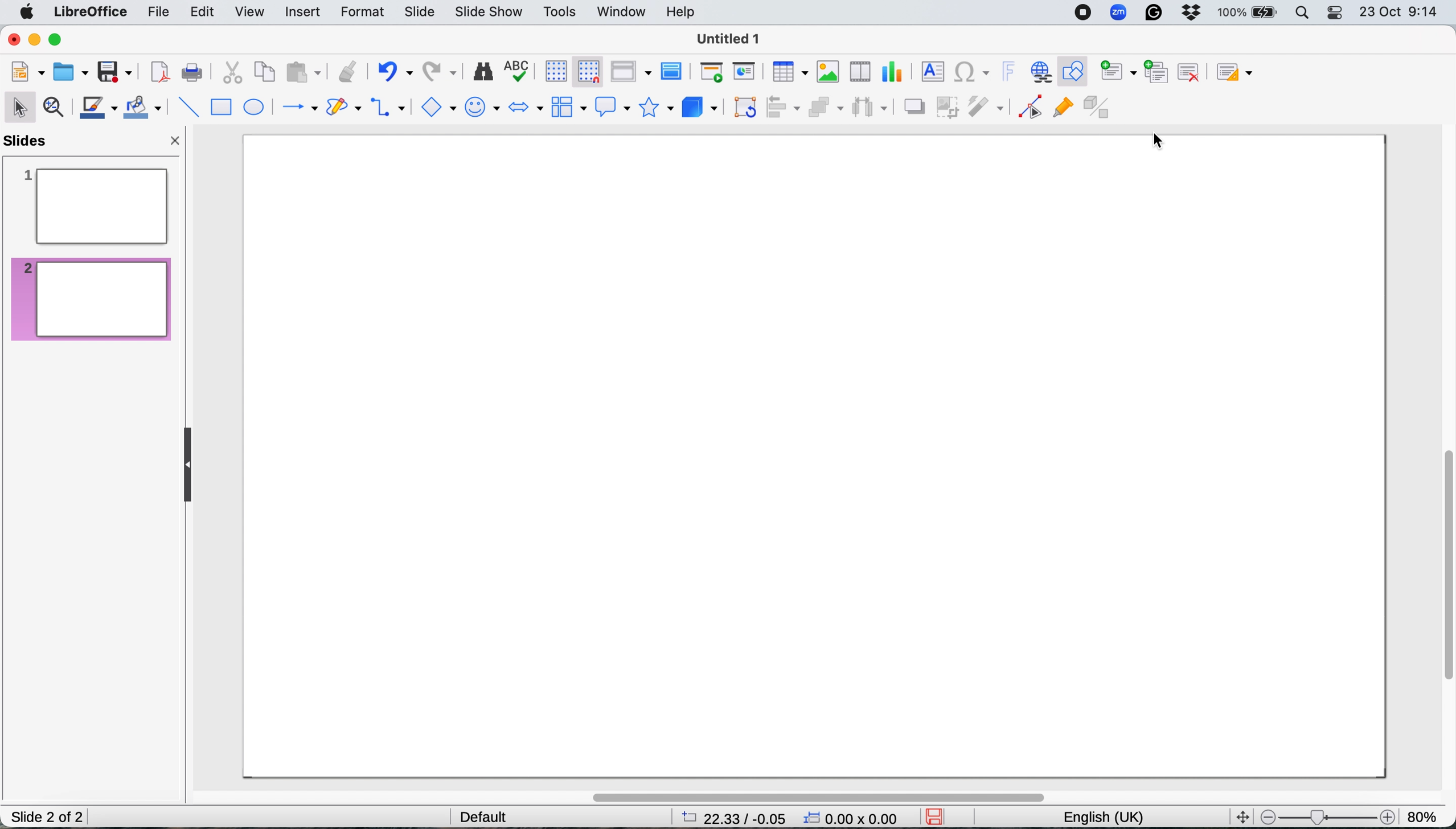 This screenshot has height=829, width=1456. What do you see at coordinates (526, 108) in the screenshot?
I see `block arrows` at bounding box center [526, 108].